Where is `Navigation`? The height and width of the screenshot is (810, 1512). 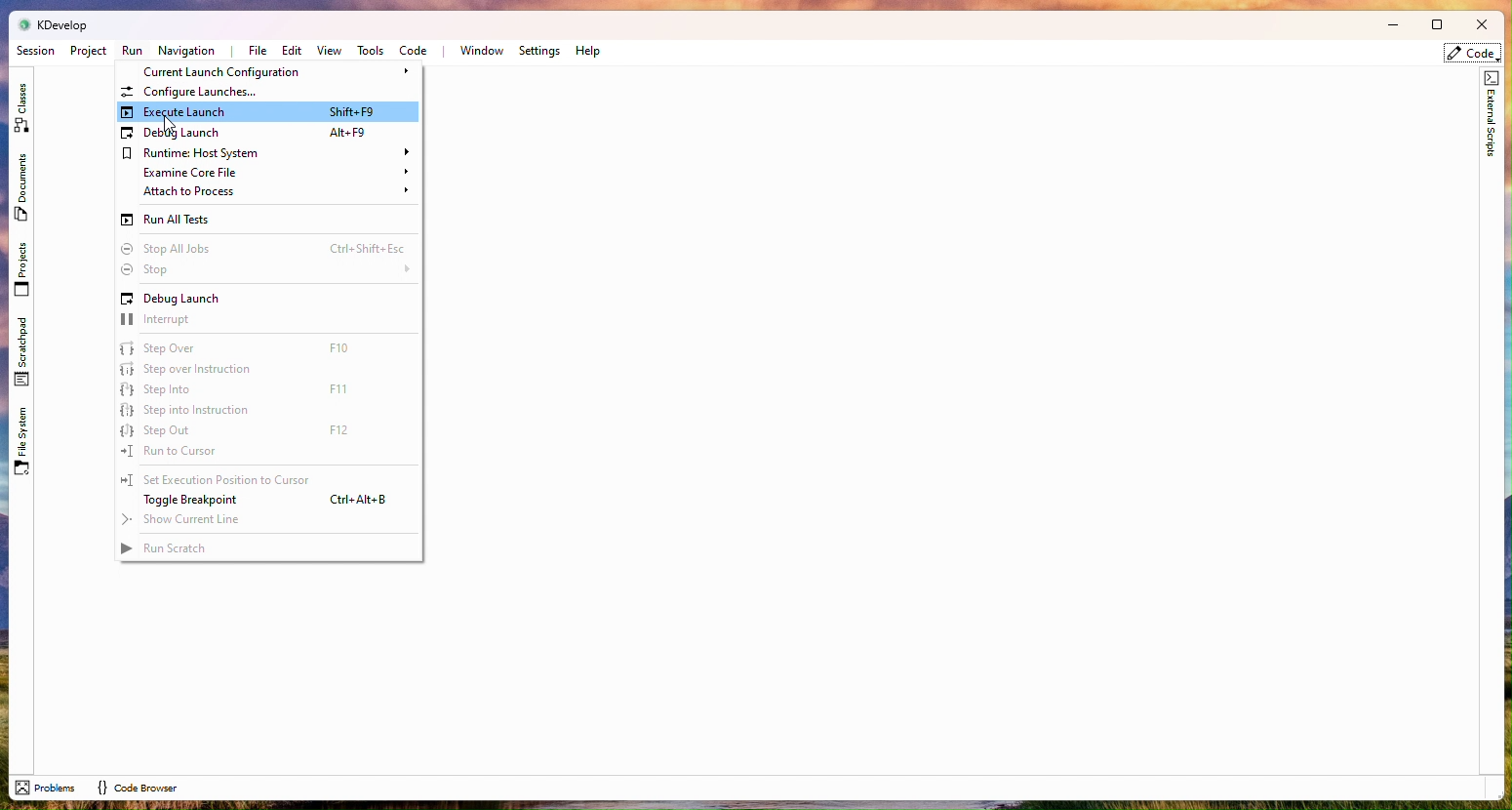 Navigation is located at coordinates (188, 51).